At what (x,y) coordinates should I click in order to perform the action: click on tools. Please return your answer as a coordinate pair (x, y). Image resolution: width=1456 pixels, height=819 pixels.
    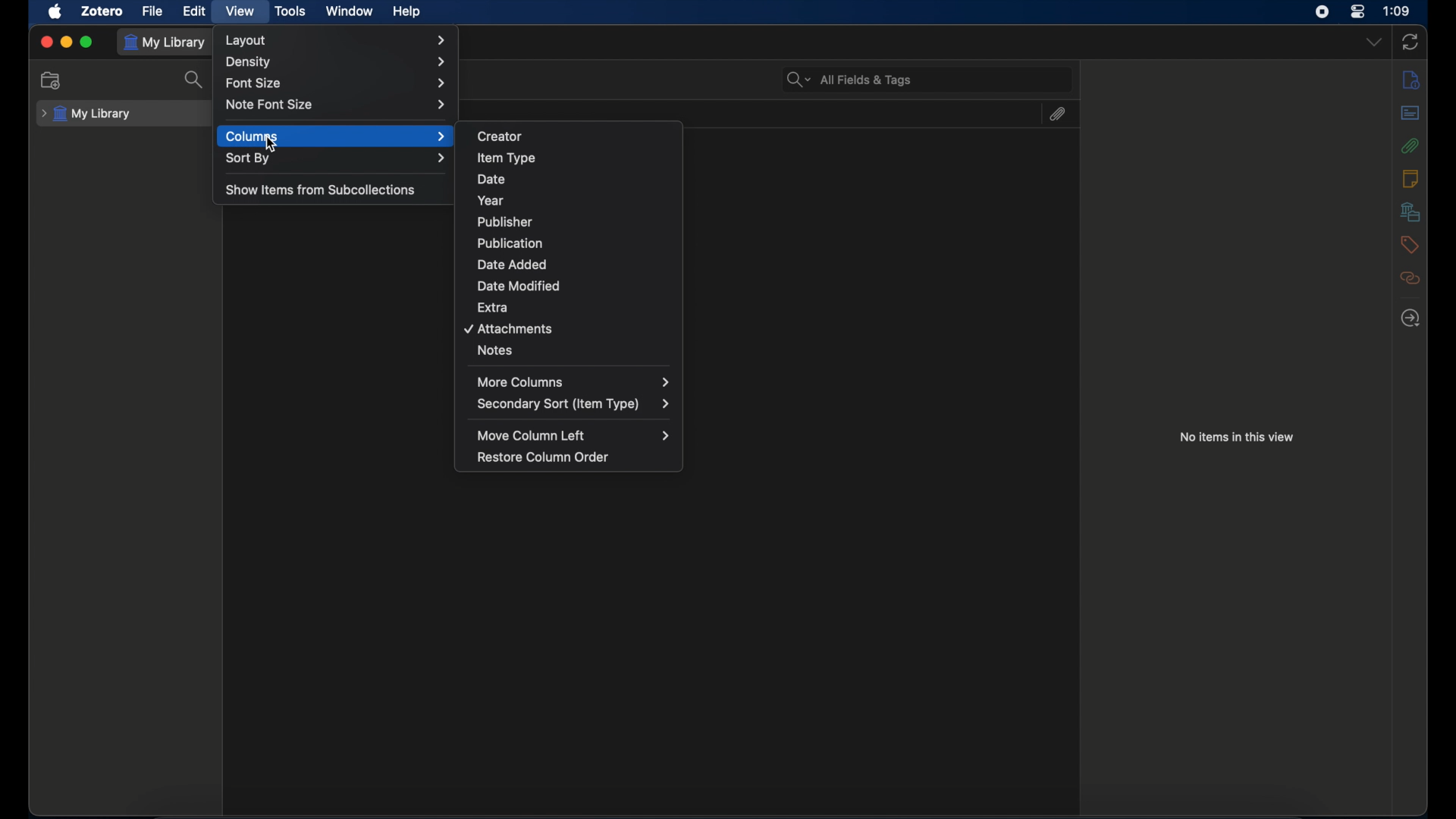
    Looking at the image, I should click on (291, 11).